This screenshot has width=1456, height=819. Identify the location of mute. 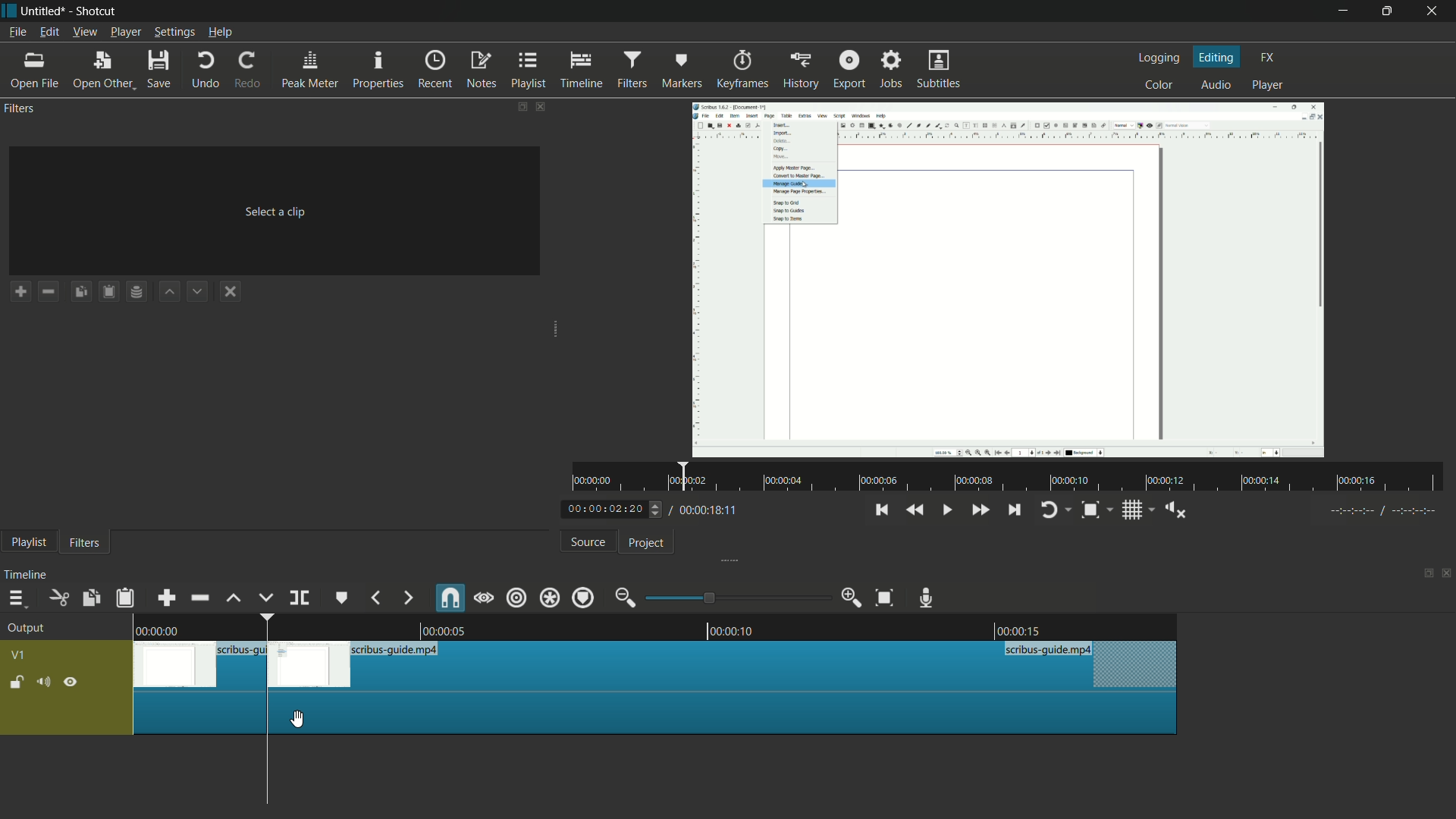
(44, 682).